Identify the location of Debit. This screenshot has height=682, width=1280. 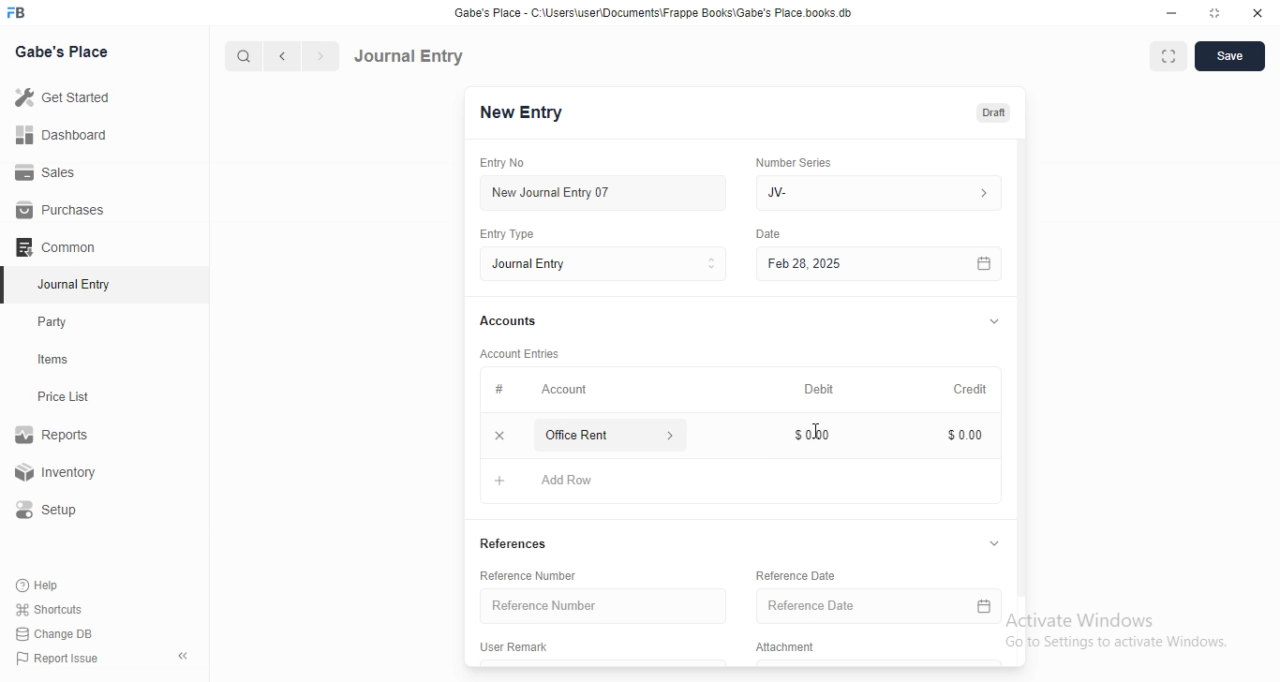
(815, 387).